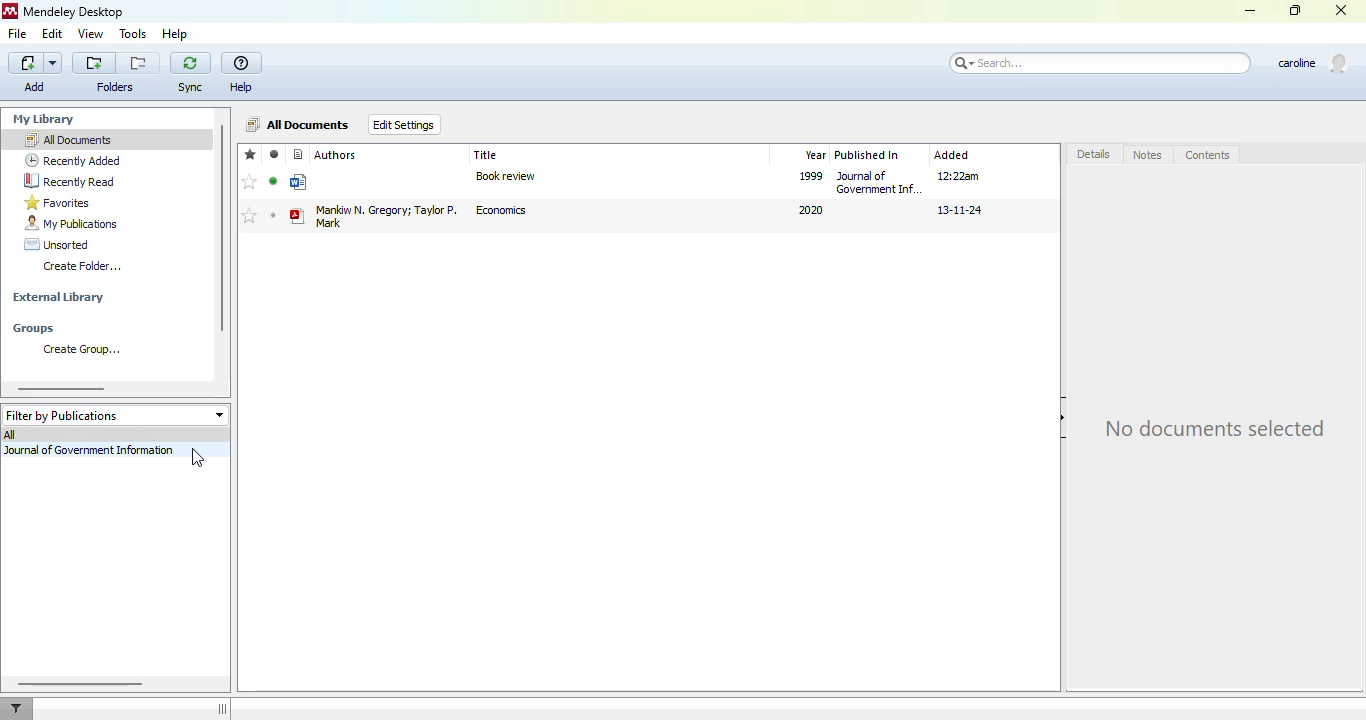 The height and width of the screenshot is (720, 1366). What do you see at coordinates (36, 73) in the screenshot?
I see `add` at bounding box center [36, 73].